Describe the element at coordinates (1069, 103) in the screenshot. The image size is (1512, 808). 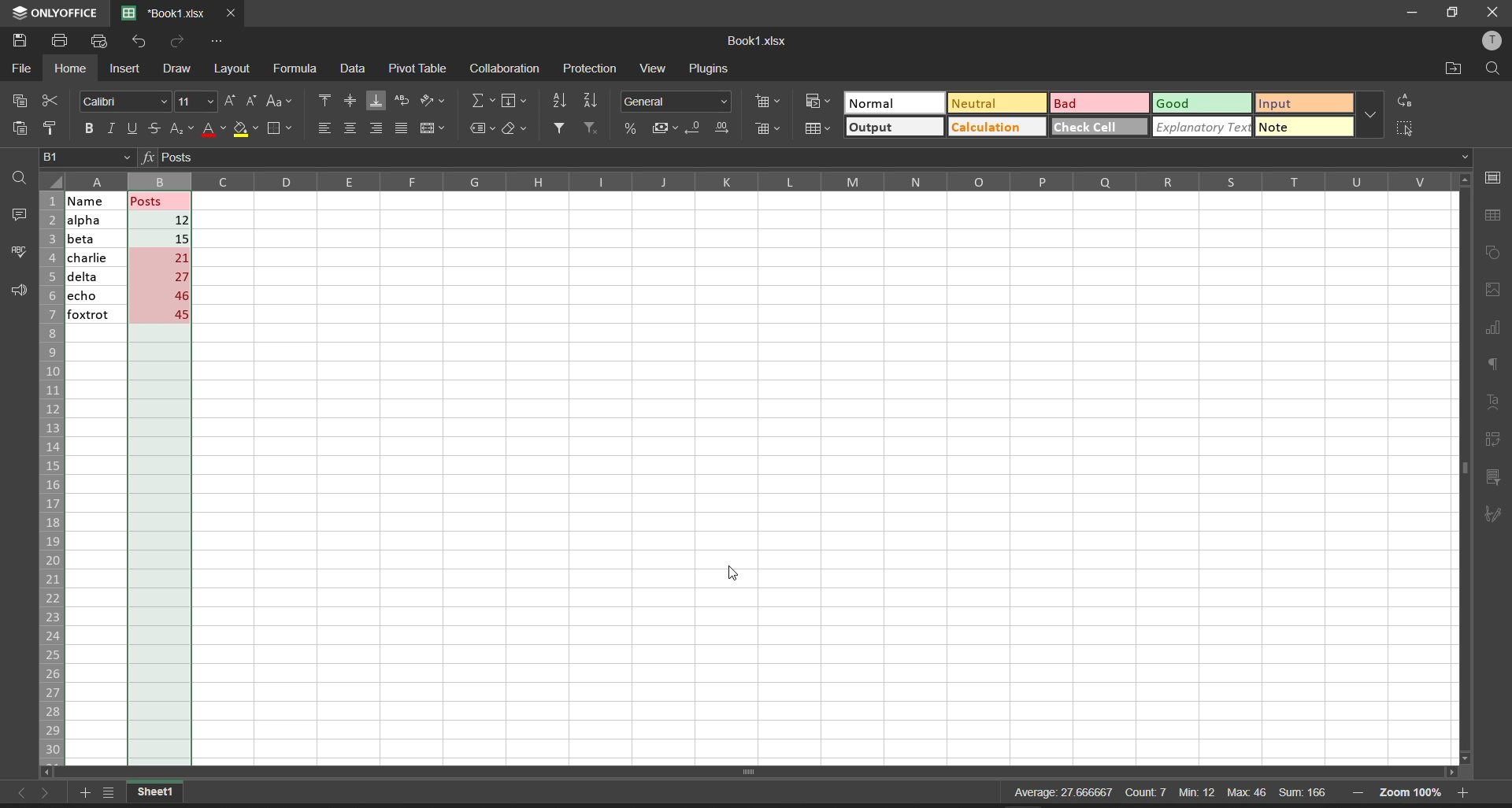
I see `Bad` at that location.